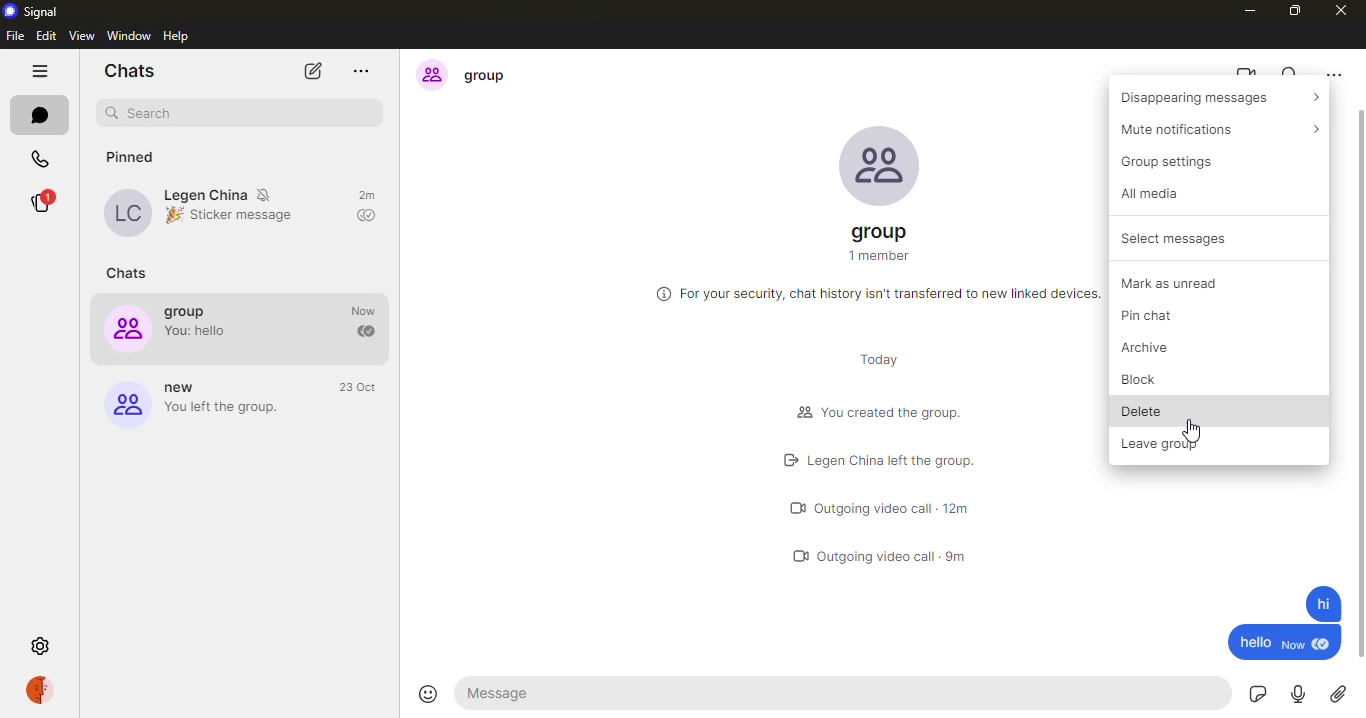  I want to click on You: hello, so click(196, 332).